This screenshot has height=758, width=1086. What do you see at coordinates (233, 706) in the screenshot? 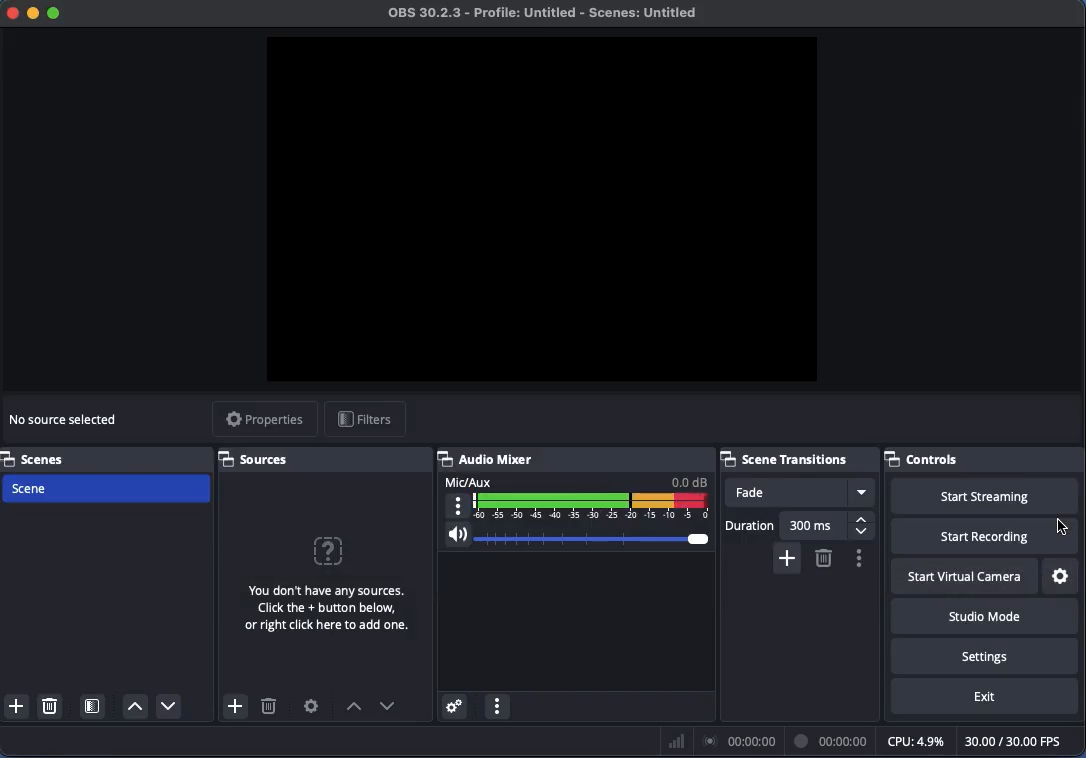
I see `Add source` at bounding box center [233, 706].